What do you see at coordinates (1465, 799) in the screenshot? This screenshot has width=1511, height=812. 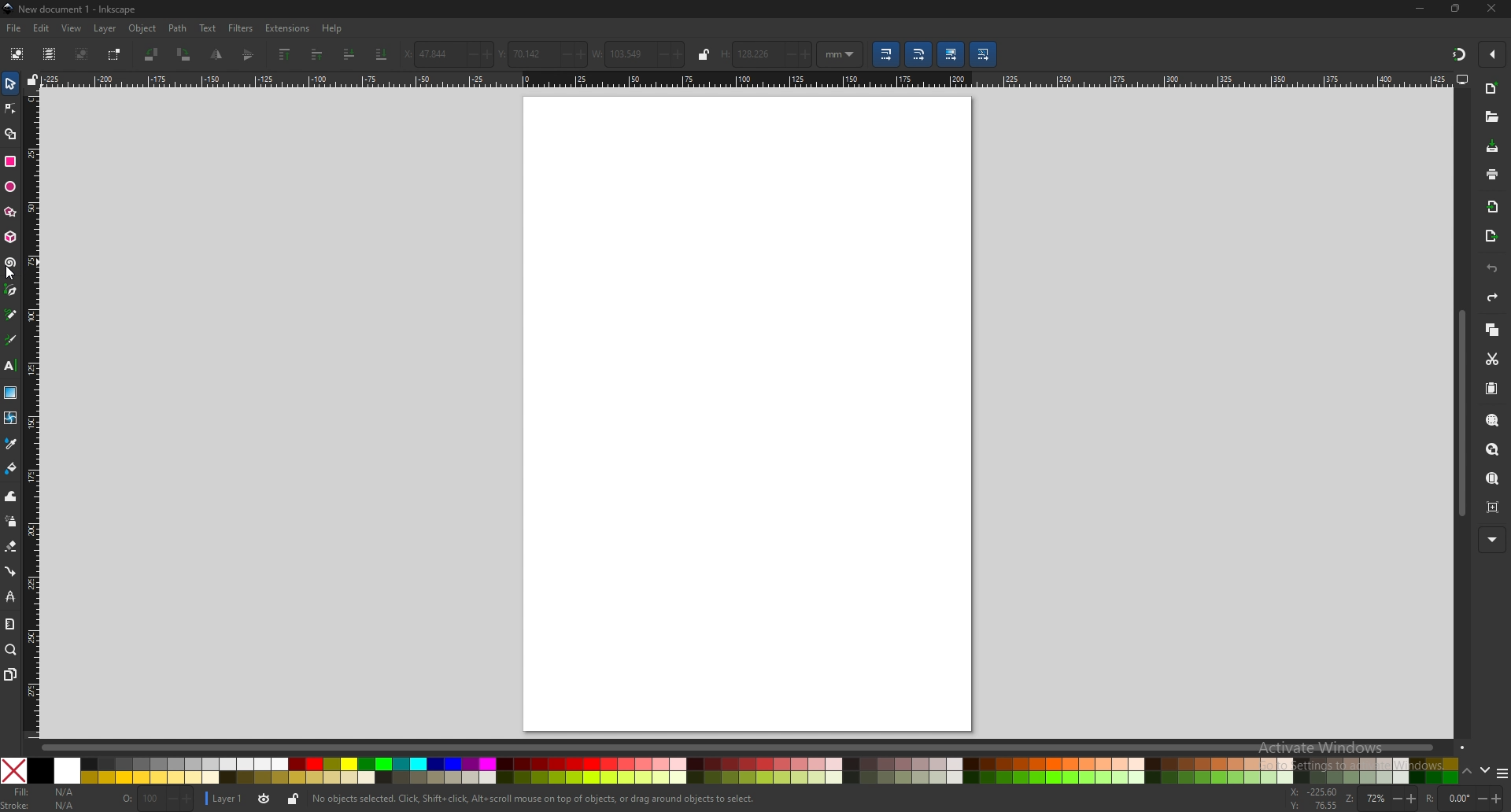 I see `R: 0.00` at bounding box center [1465, 799].